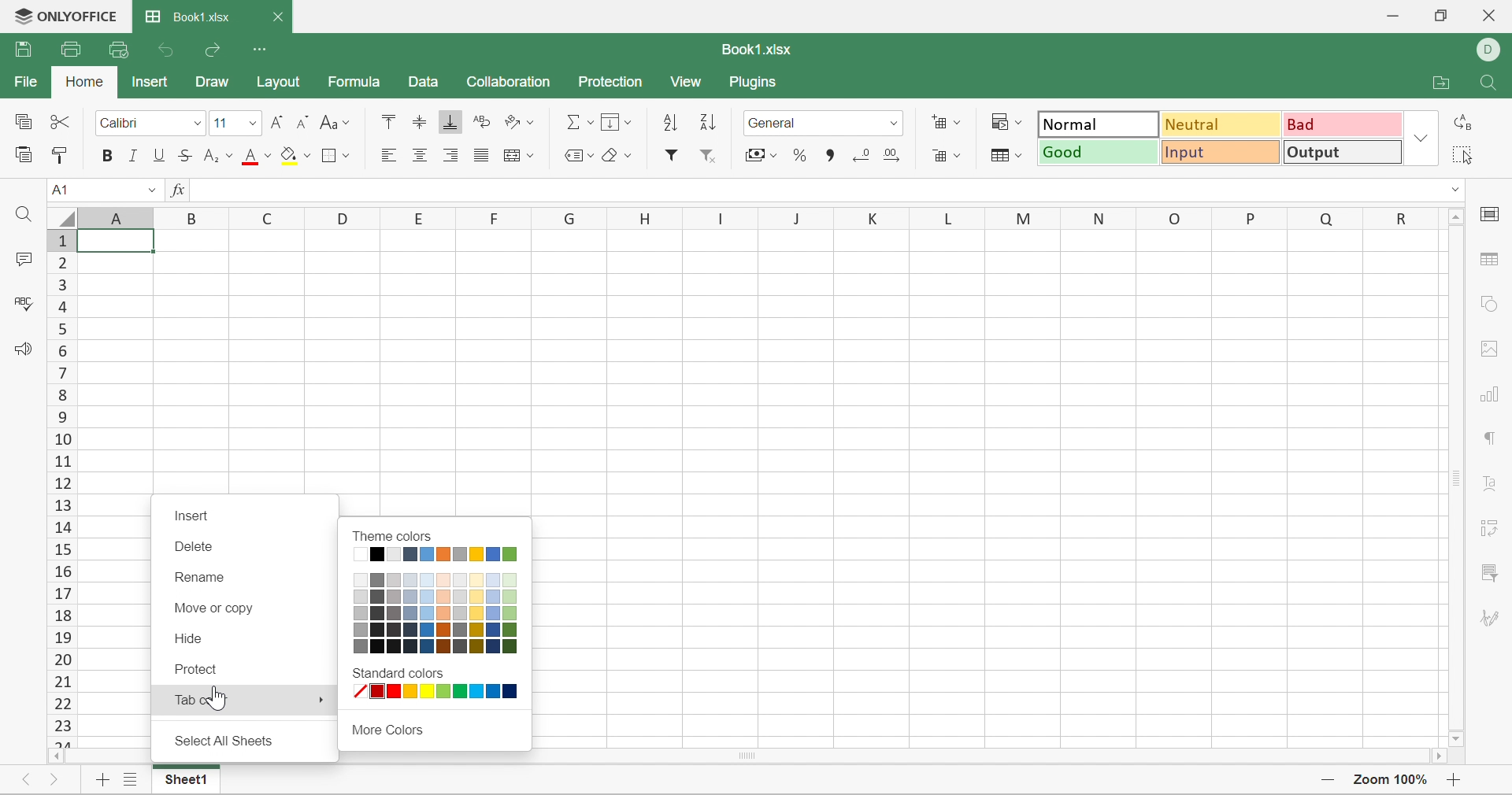 This screenshot has width=1512, height=795. Describe the element at coordinates (508, 83) in the screenshot. I see `Collaboration` at that location.